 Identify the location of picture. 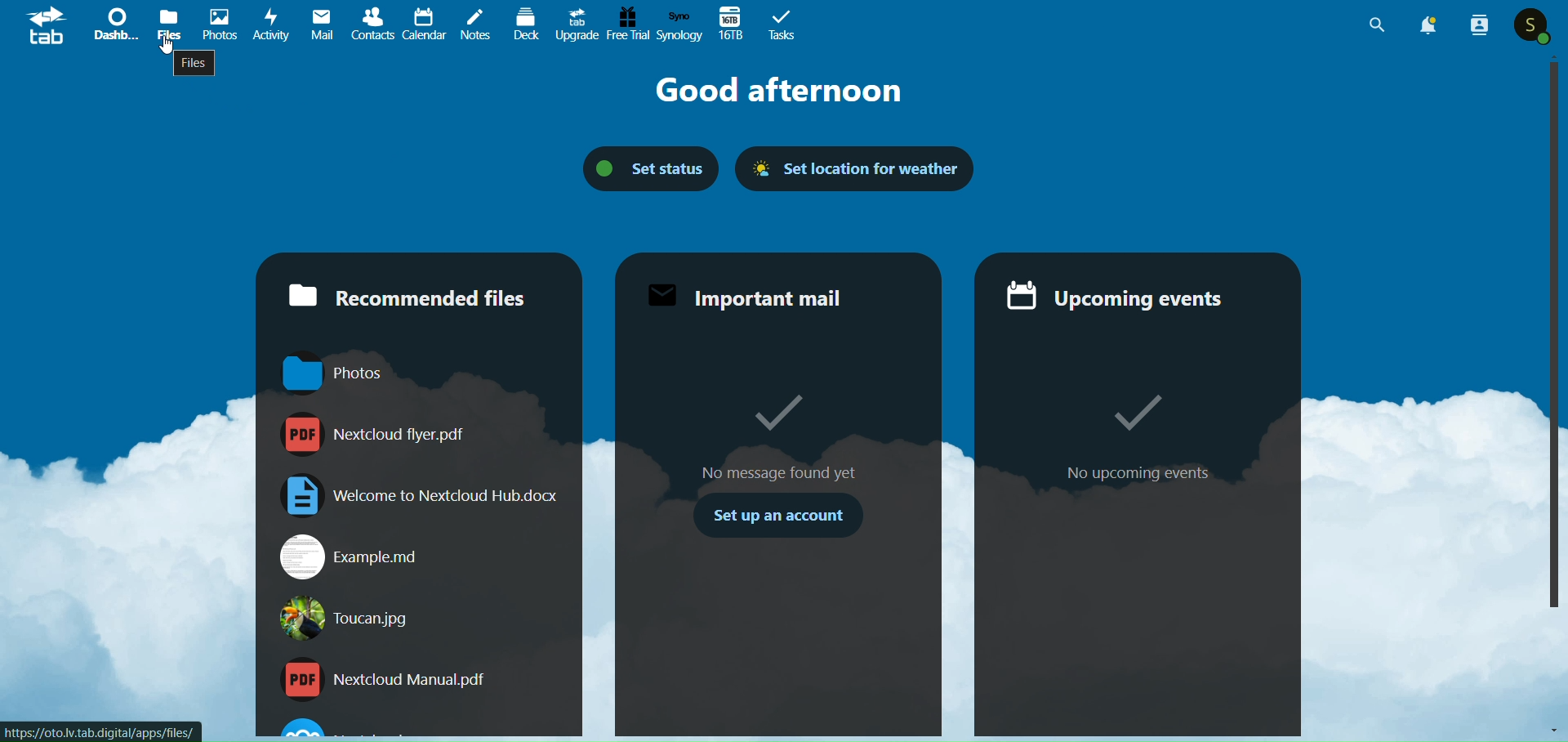
(220, 26).